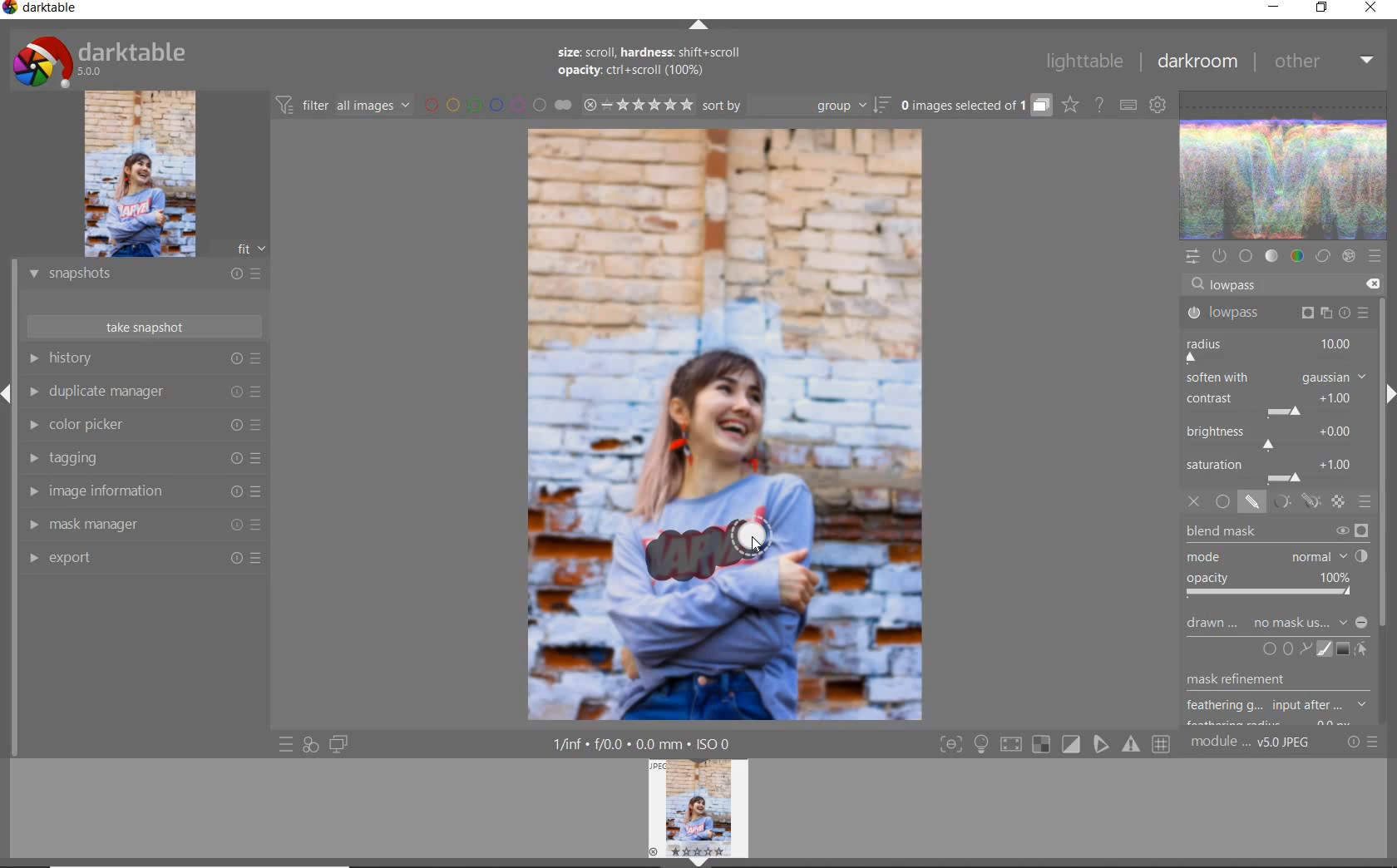  Describe the element at coordinates (698, 25) in the screenshot. I see `expand/collapse` at that location.